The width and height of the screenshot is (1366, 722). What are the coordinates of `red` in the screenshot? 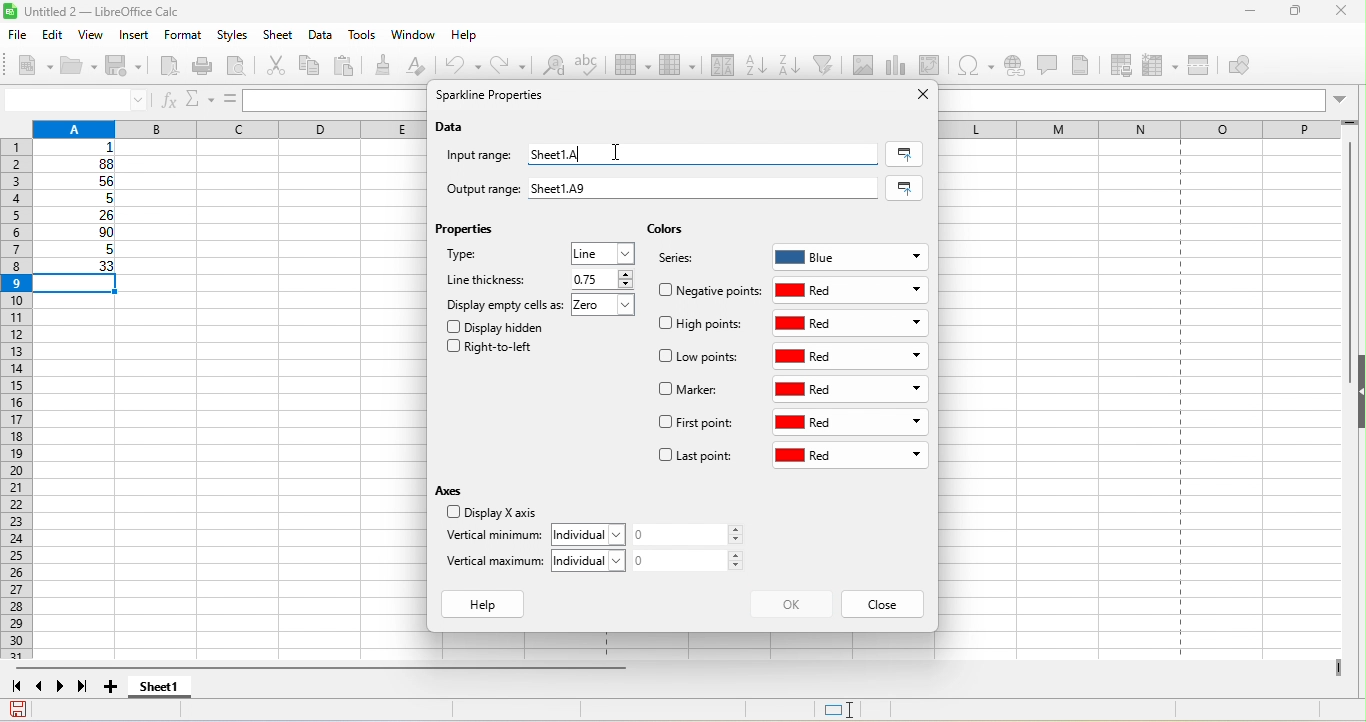 It's located at (851, 323).